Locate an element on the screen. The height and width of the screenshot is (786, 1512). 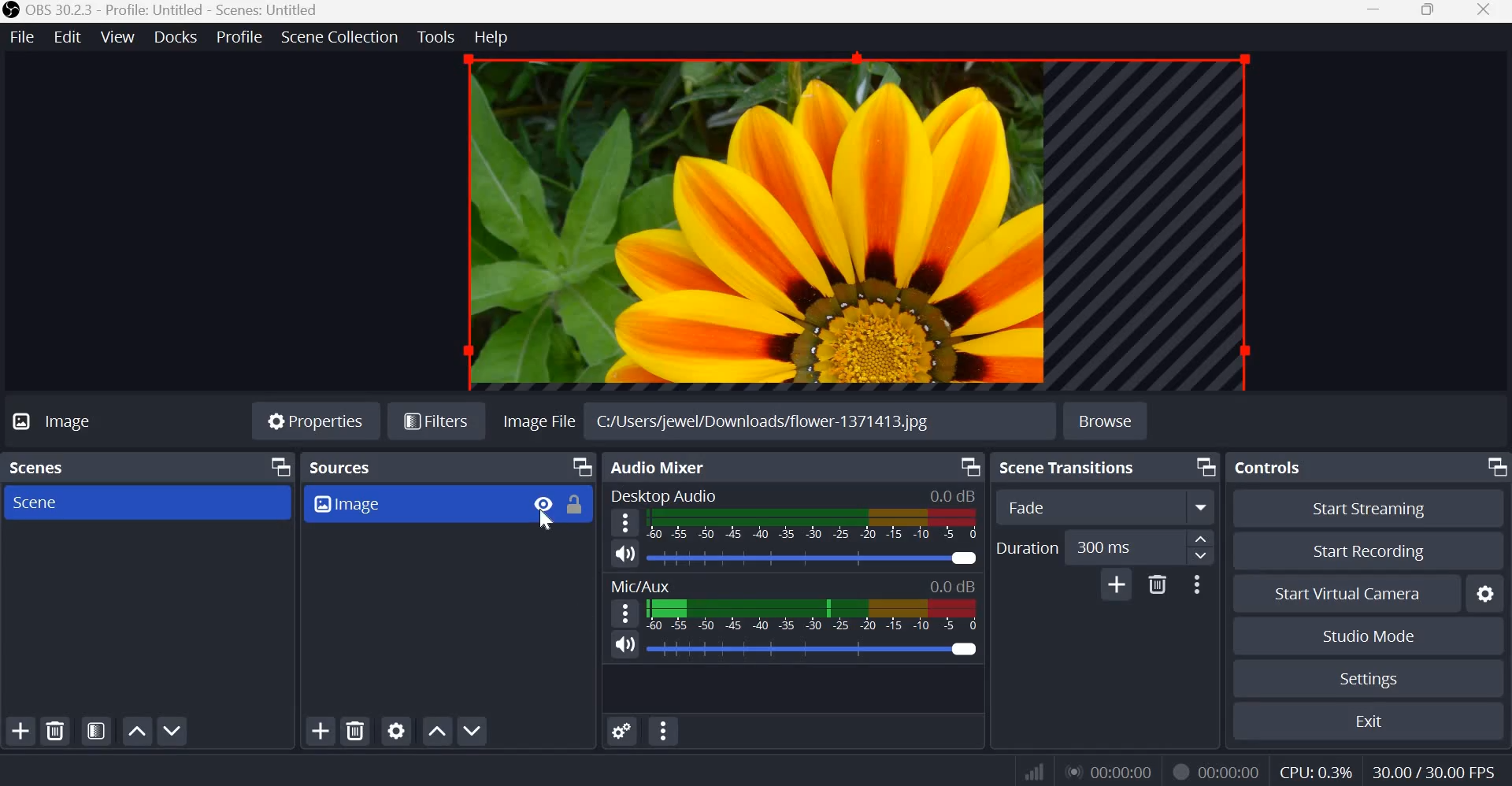
Exit is located at coordinates (1370, 720).